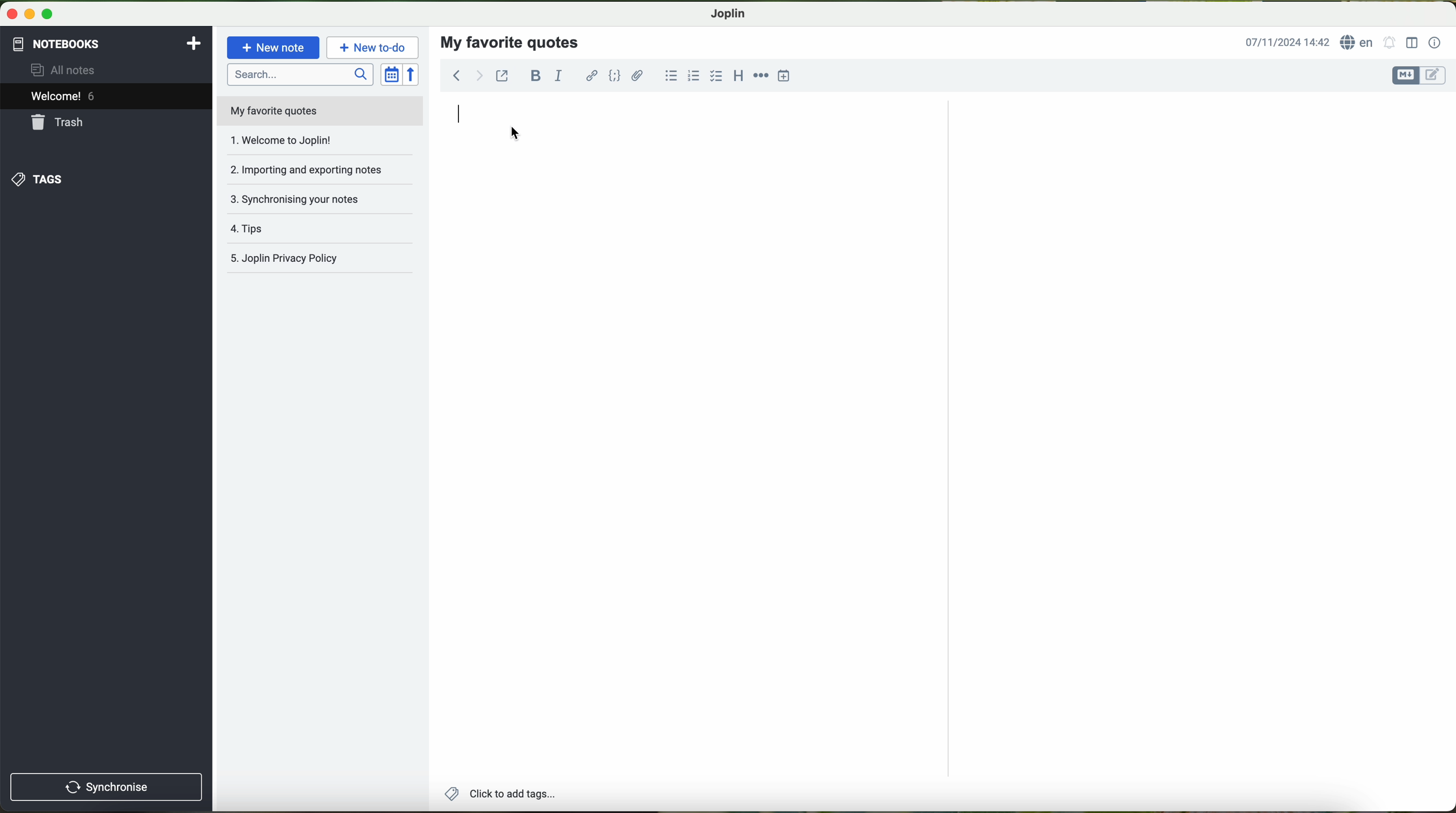 Image resolution: width=1456 pixels, height=813 pixels. I want to click on minimize, so click(29, 17).